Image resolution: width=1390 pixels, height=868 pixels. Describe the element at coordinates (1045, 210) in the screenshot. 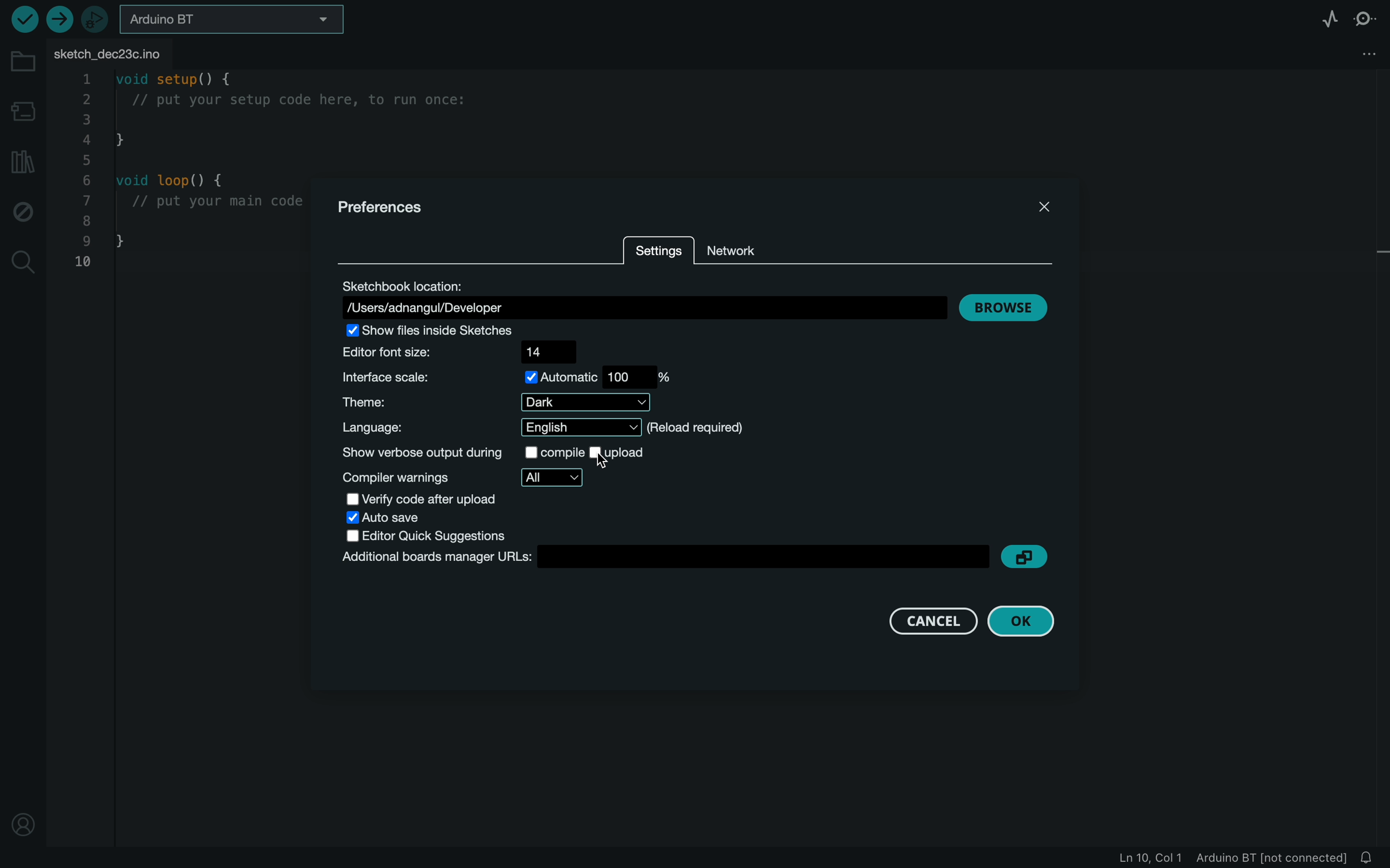

I see `close` at that location.